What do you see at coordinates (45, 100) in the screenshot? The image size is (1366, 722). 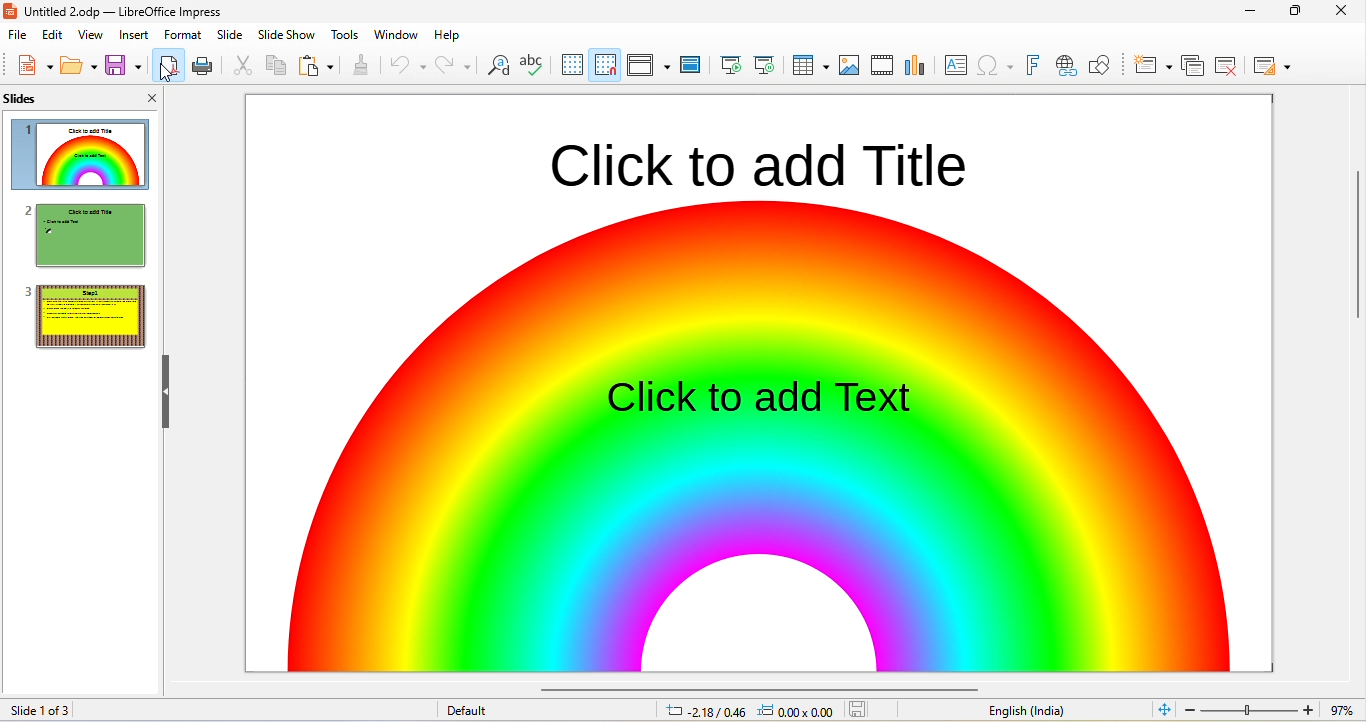 I see `slide` at bounding box center [45, 100].